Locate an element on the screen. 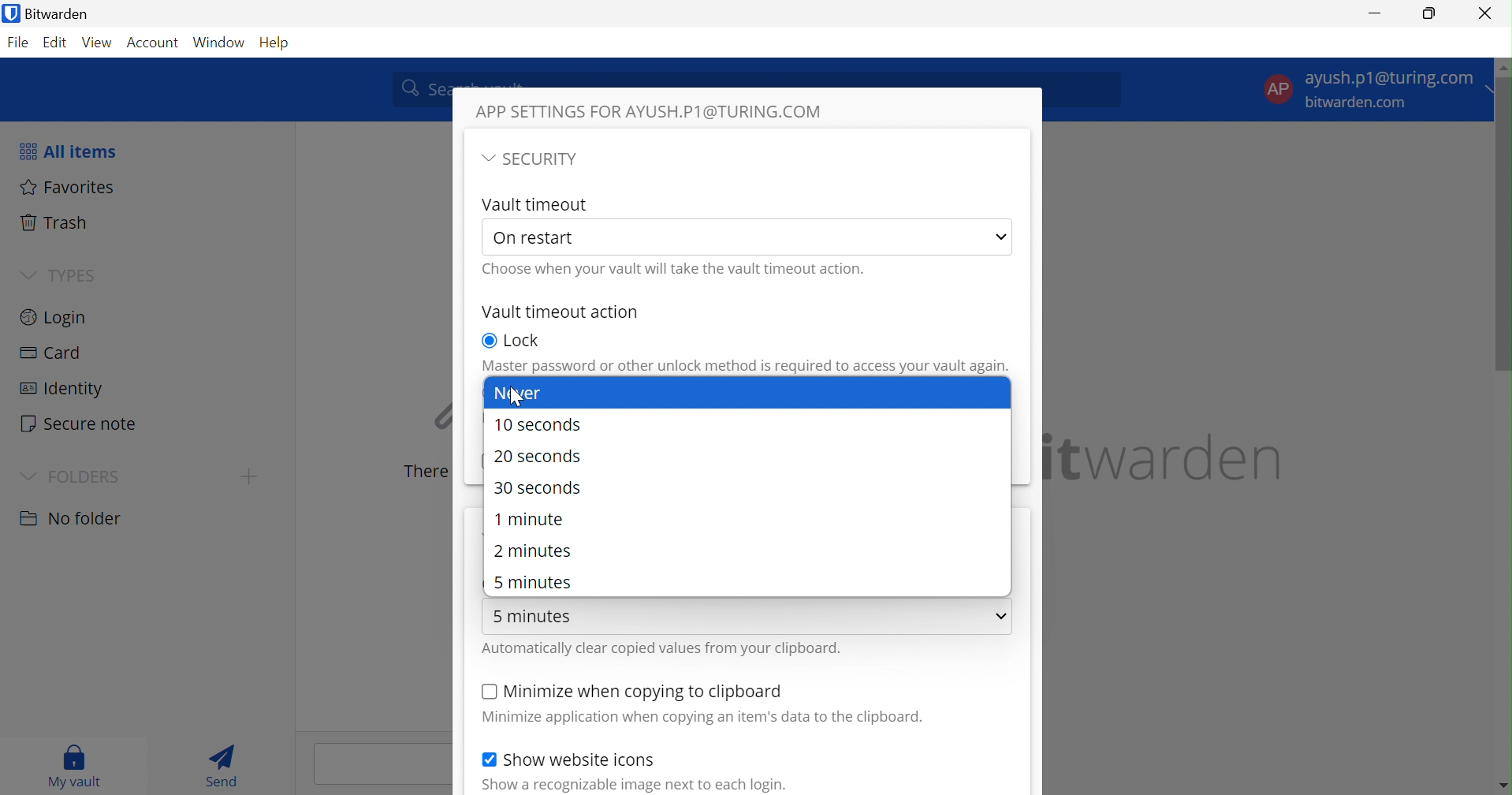  5 minutes is located at coordinates (532, 616).